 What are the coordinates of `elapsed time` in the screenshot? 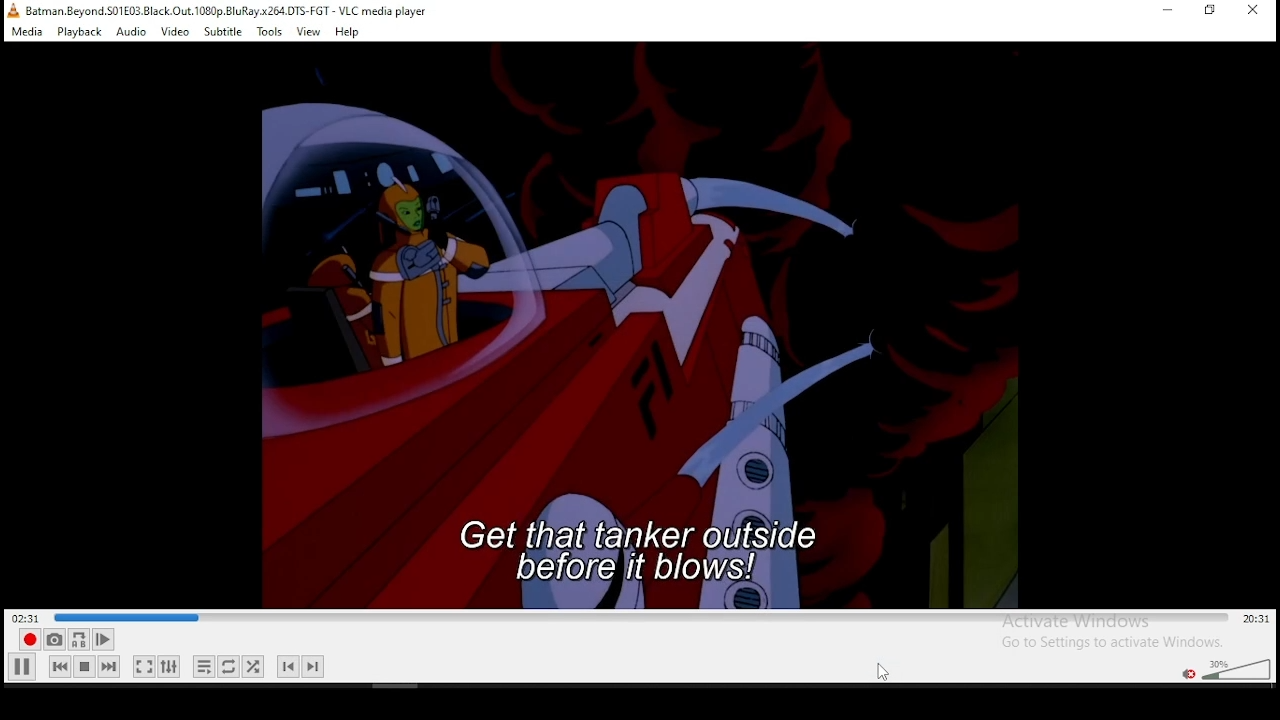 It's located at (27, 616).